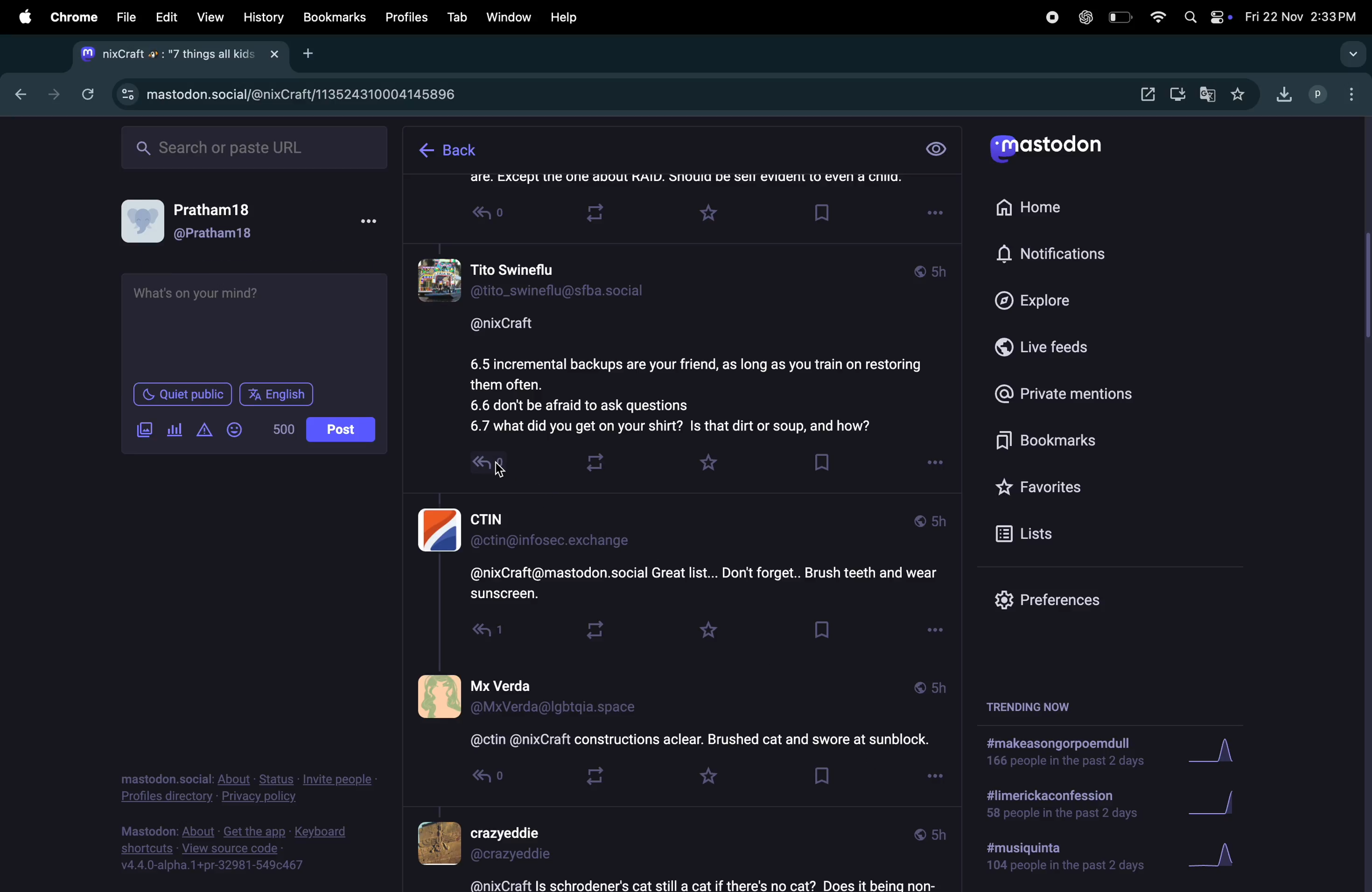 This screenshot has height=892, width=1372. I want to click on #makeasongorpoemdull
166 people in the past 2 days, so click(1063, 754).